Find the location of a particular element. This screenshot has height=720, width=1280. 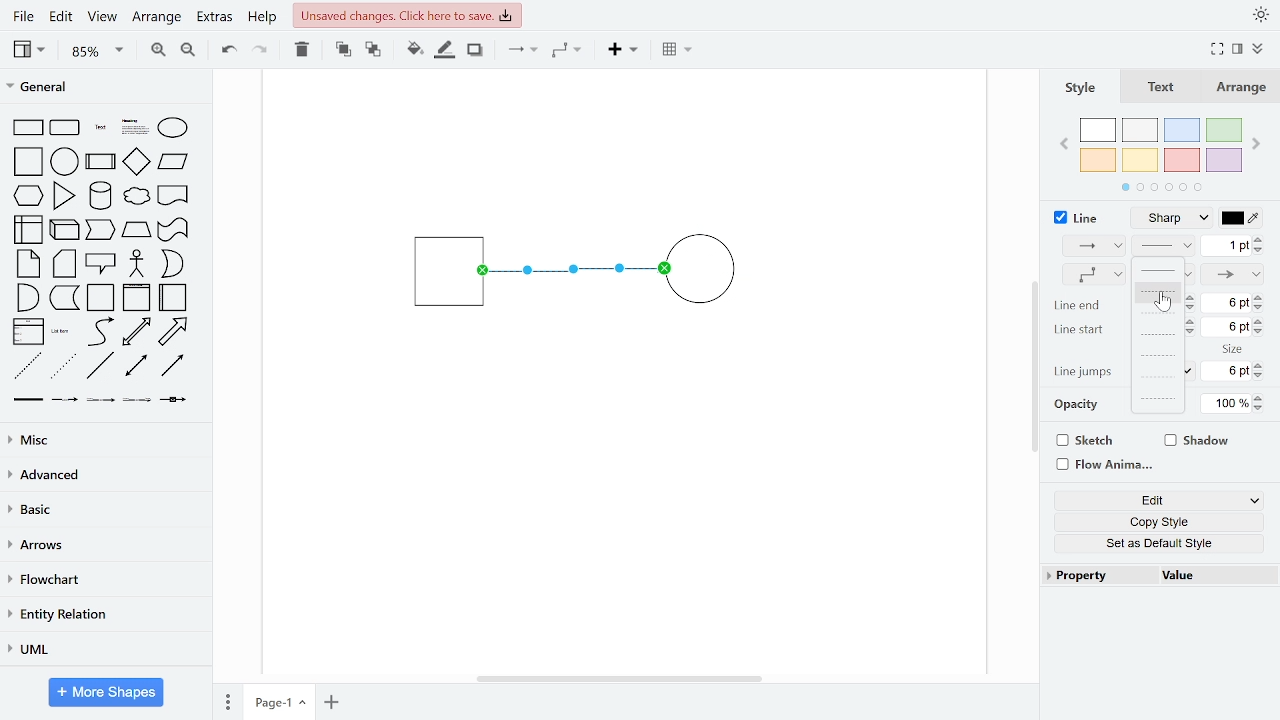

file is located at coordinates (26, 16).